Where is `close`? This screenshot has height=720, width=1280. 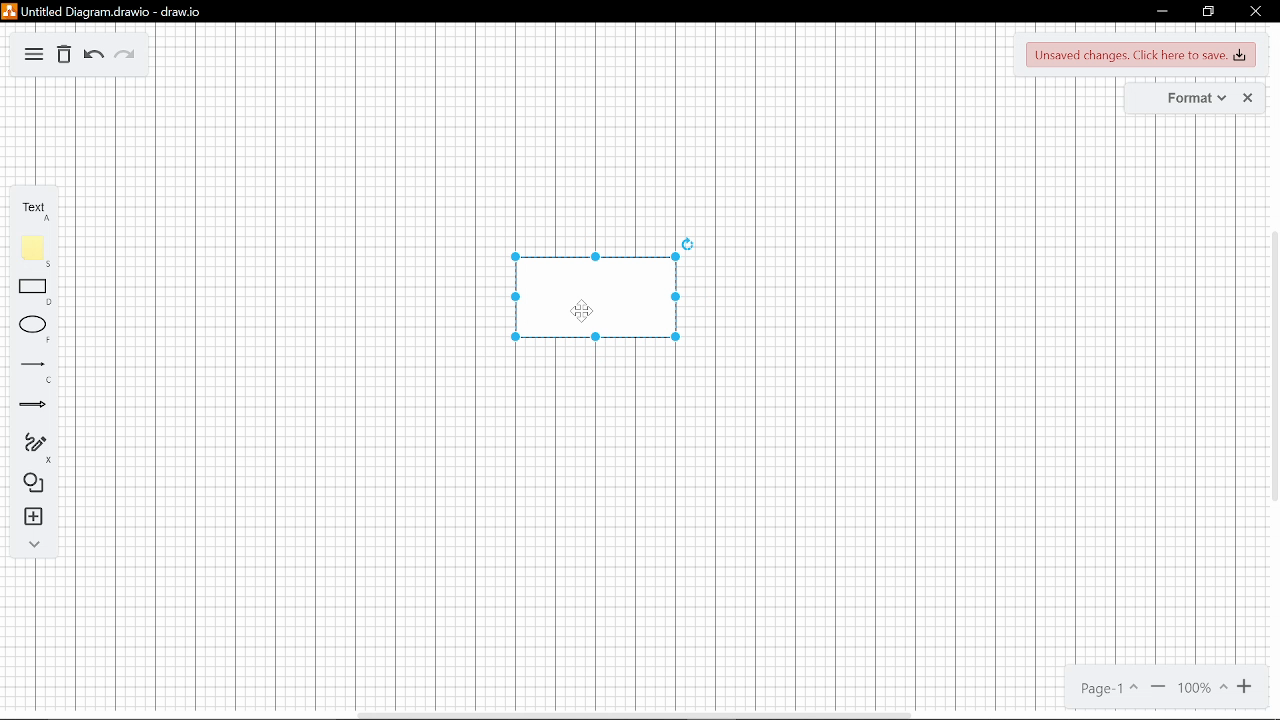
close is located at coordinates (1255, 11).